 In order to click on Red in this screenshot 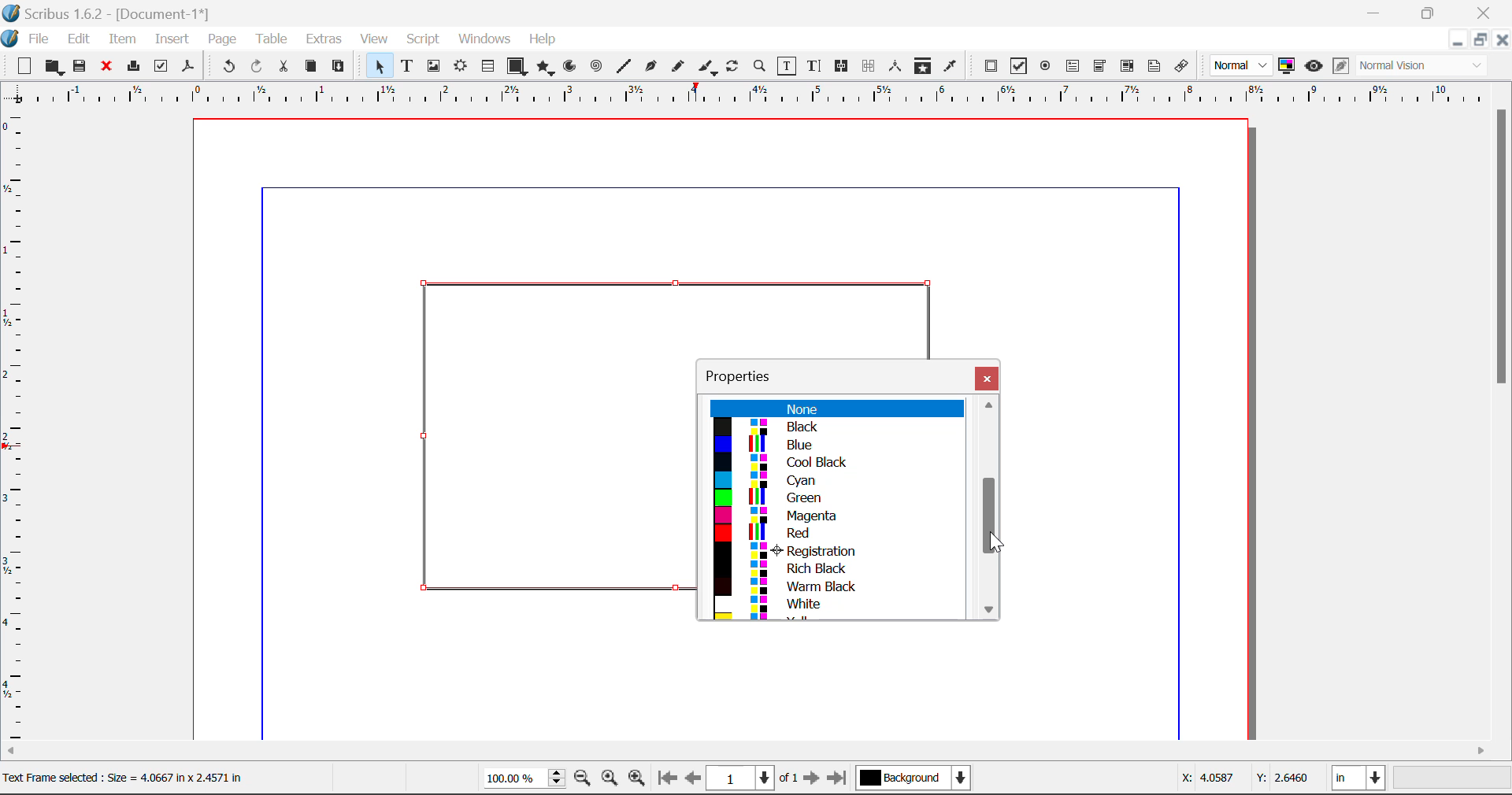, I will do `click(835, 533)`.